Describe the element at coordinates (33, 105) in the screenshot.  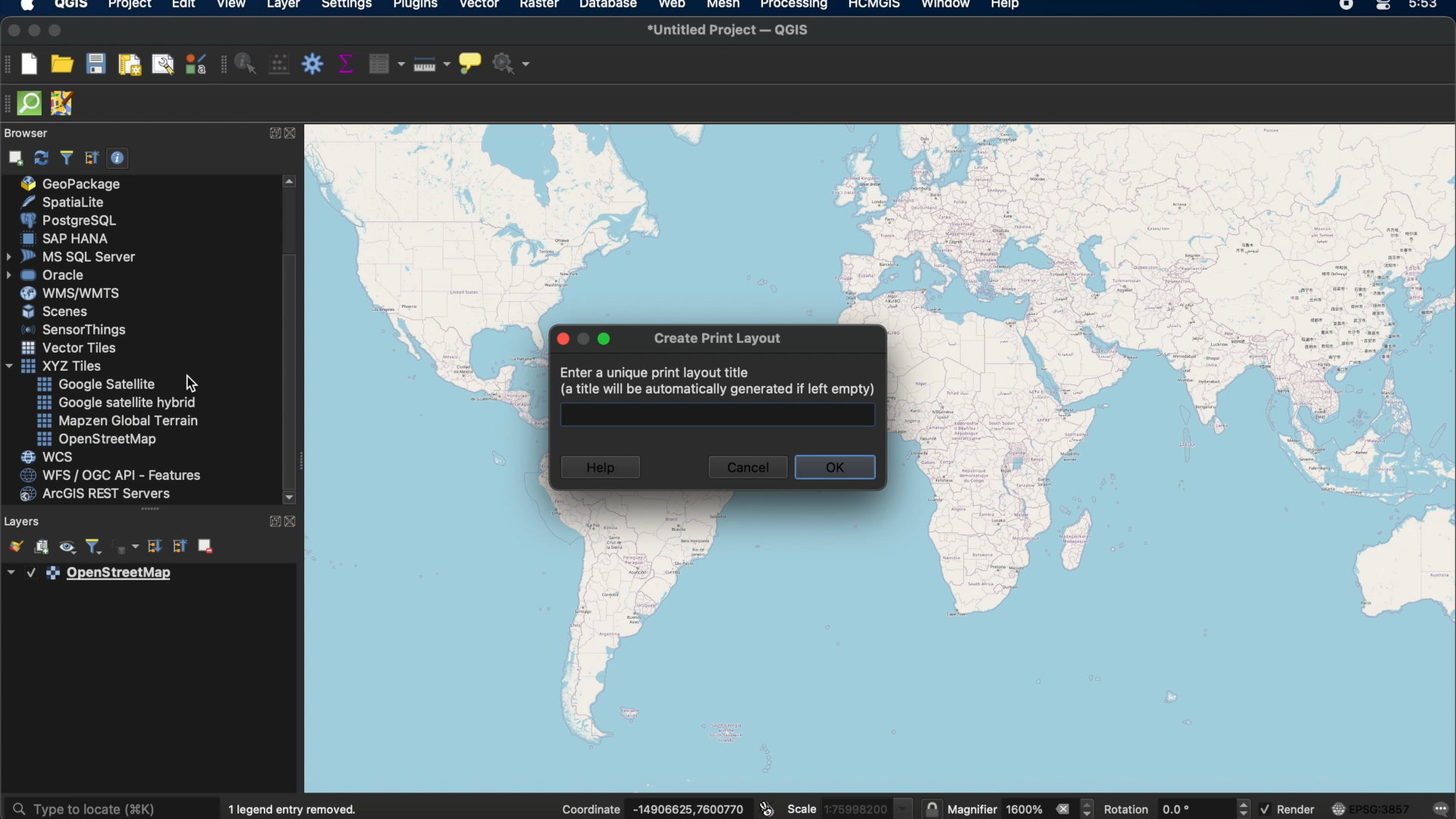
I see `QuickOSm` at that location.